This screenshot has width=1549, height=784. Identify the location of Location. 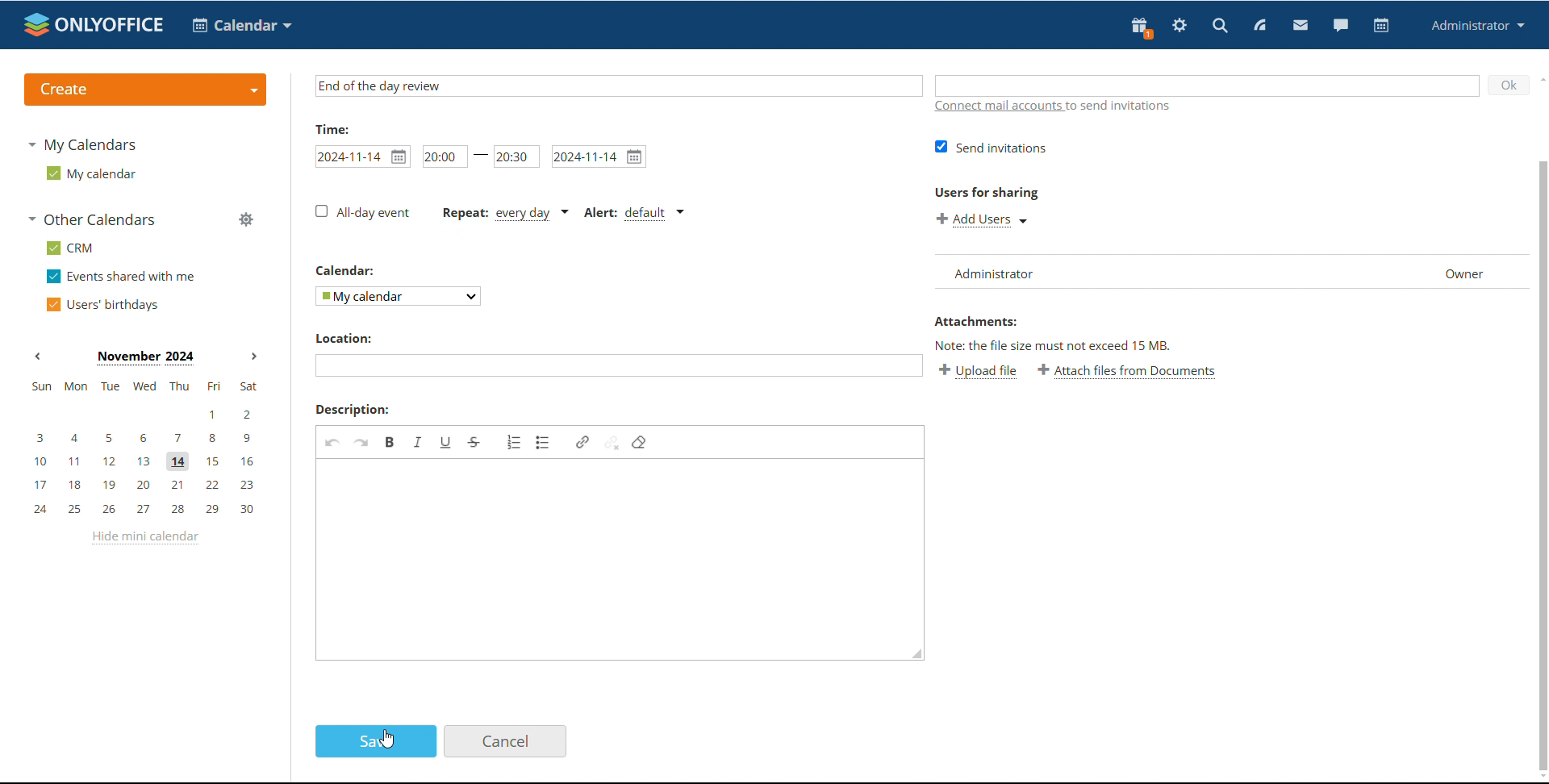
(344, 340).